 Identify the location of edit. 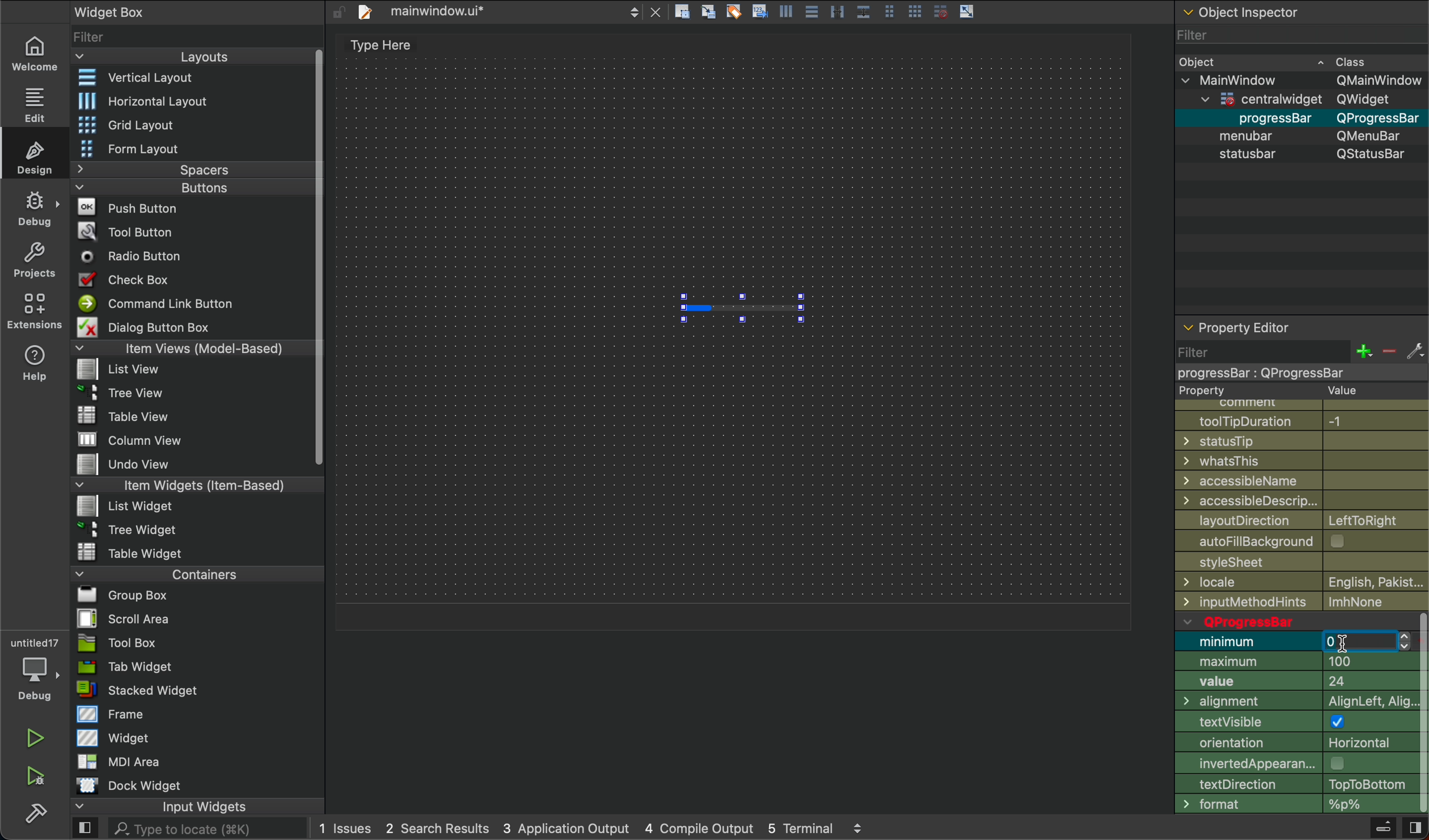
(32, 103).